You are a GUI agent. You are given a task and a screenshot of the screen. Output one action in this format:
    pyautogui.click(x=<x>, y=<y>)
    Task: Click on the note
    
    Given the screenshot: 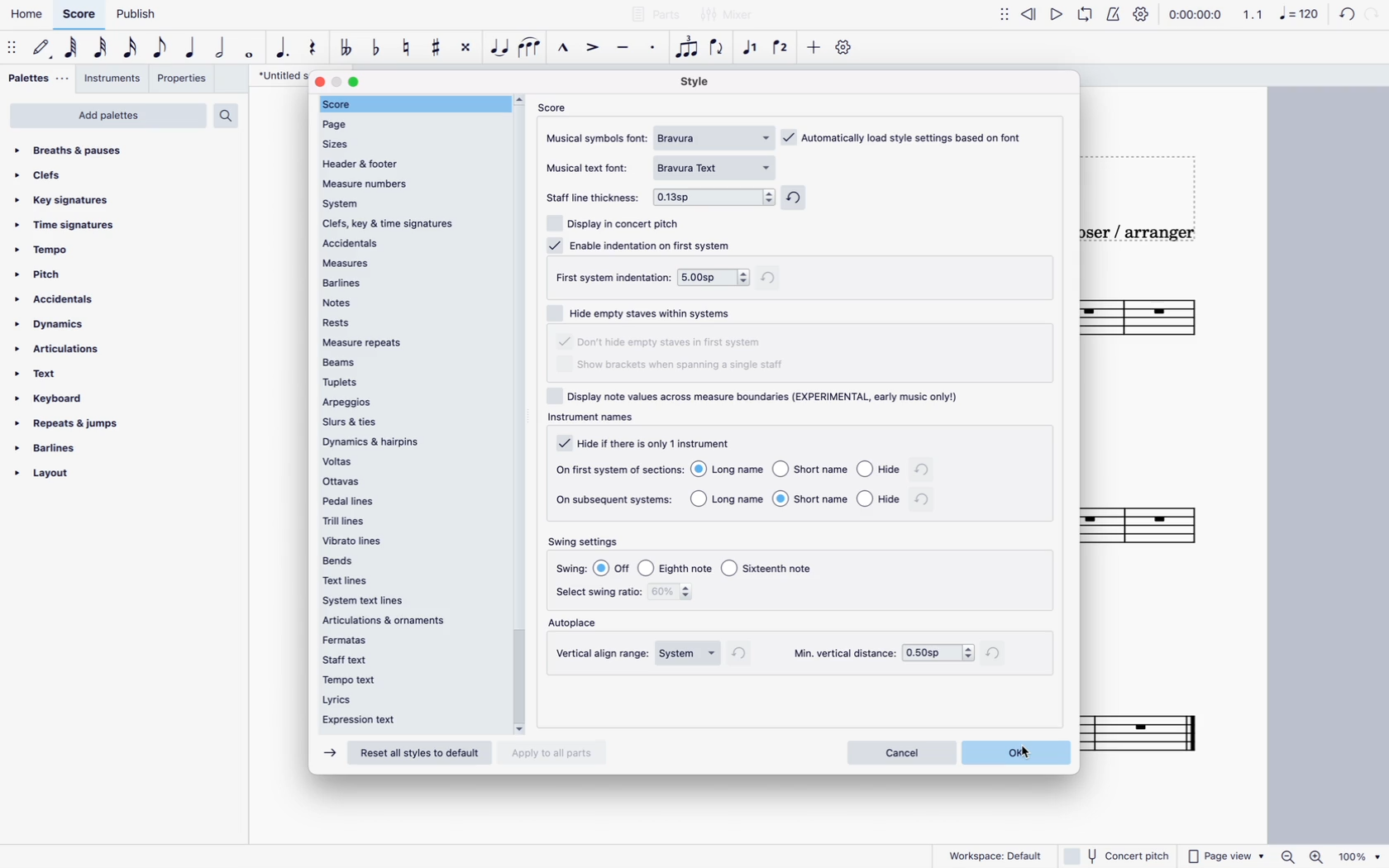 What is the action you would take?
    pyautogui.click(x=70, y=49)
    